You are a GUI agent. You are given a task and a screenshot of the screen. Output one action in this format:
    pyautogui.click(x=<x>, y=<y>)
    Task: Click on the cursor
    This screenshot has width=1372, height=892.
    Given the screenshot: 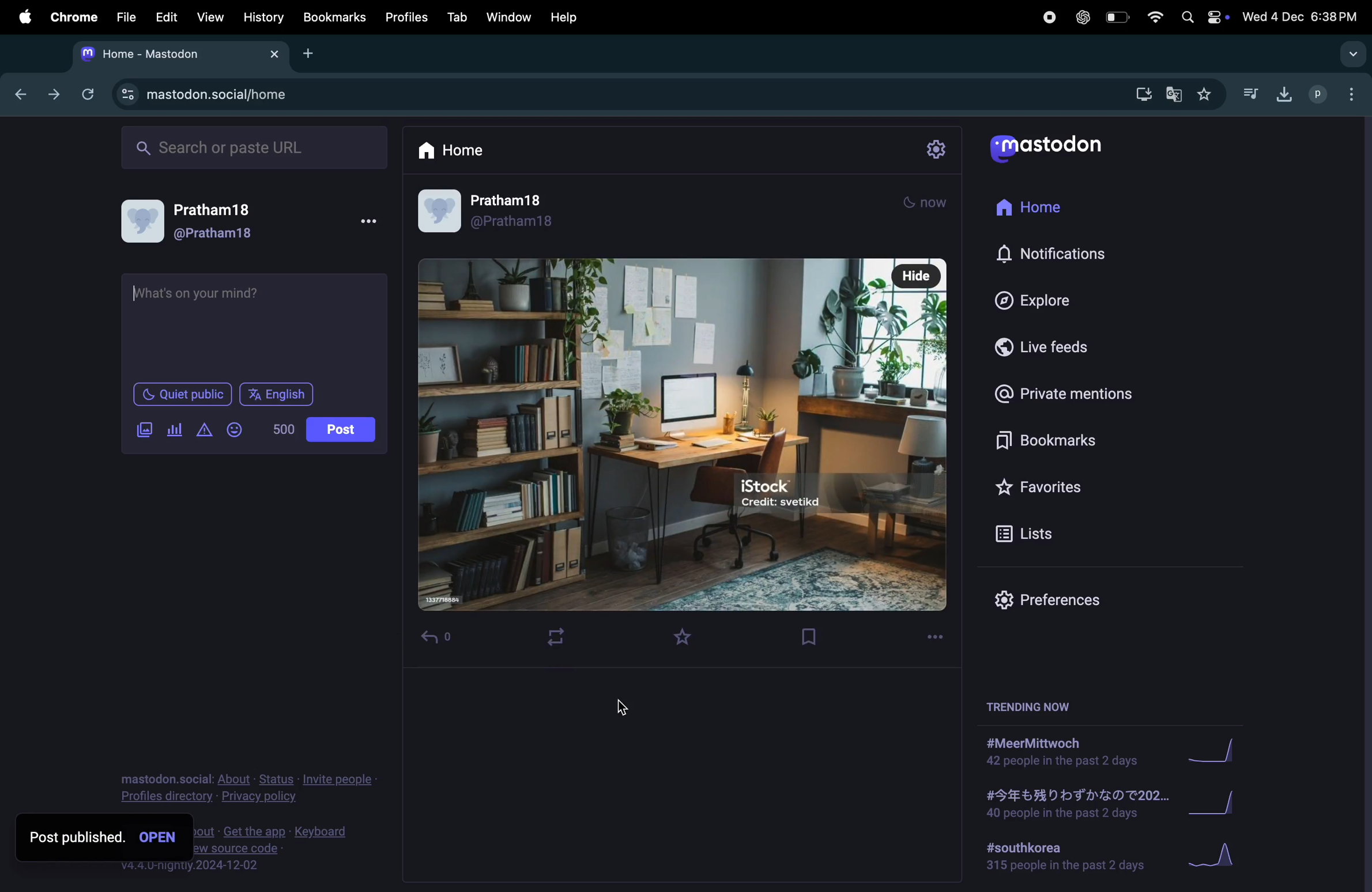 What is the action you would take?
    pyautogui.click(x=153, y=443)
    